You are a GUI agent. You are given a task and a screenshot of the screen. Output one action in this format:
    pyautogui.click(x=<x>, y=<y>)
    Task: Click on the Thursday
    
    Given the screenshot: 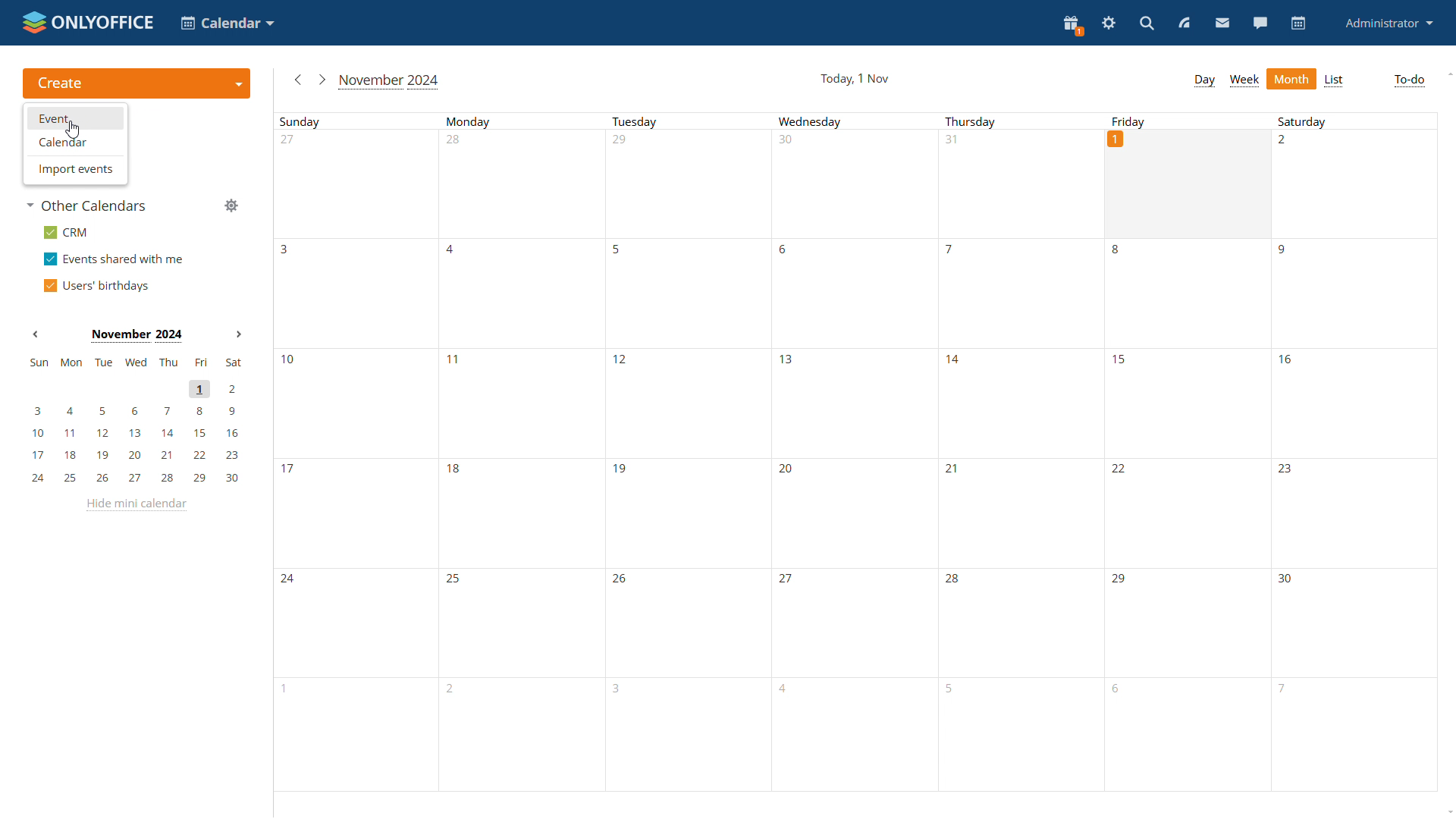 What is the action you would take?
    pyautogui.click(x=1021, y=452)
    